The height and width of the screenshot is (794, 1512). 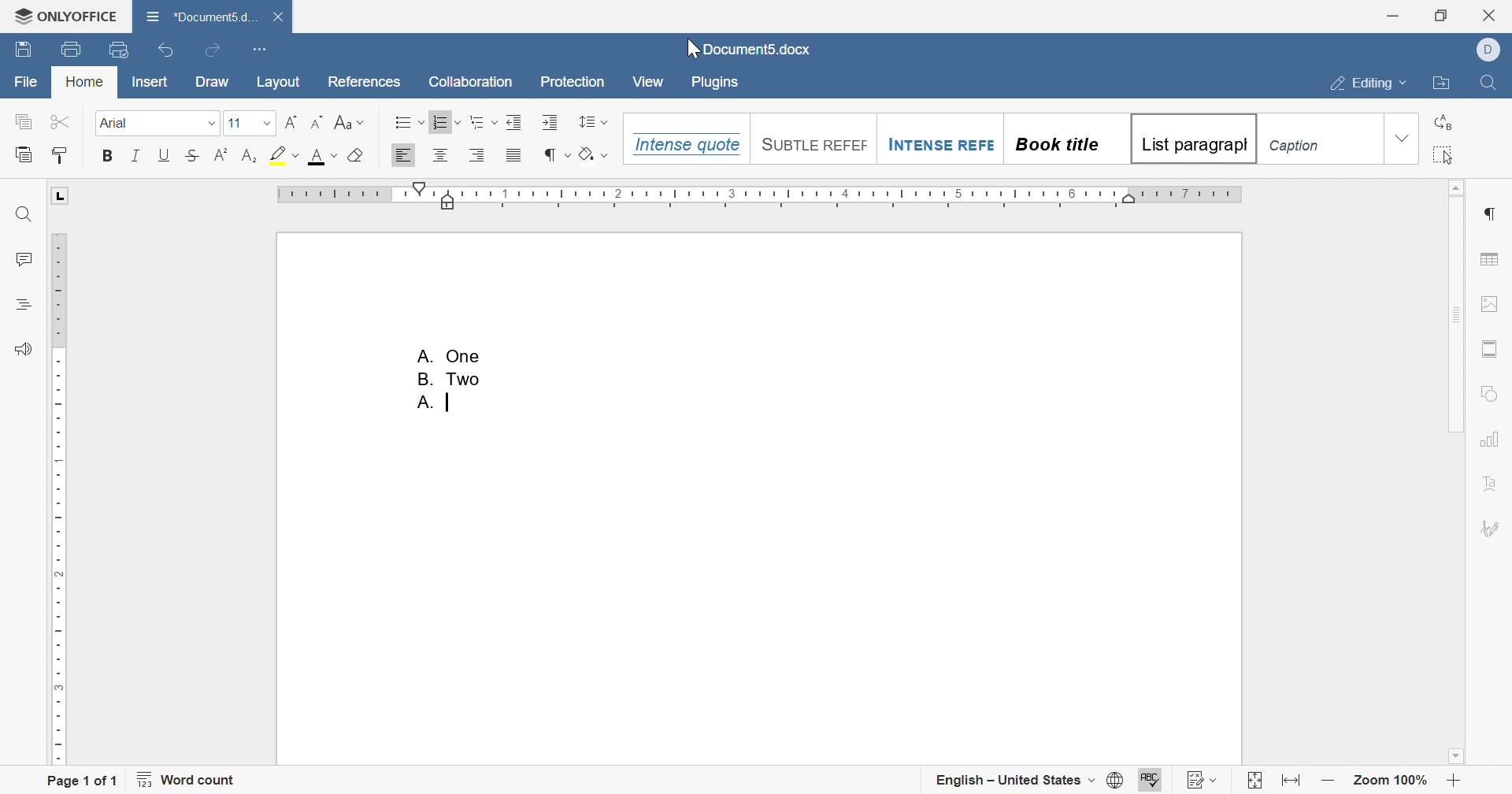 I want to click on Italic, so click(x=136, y=155).